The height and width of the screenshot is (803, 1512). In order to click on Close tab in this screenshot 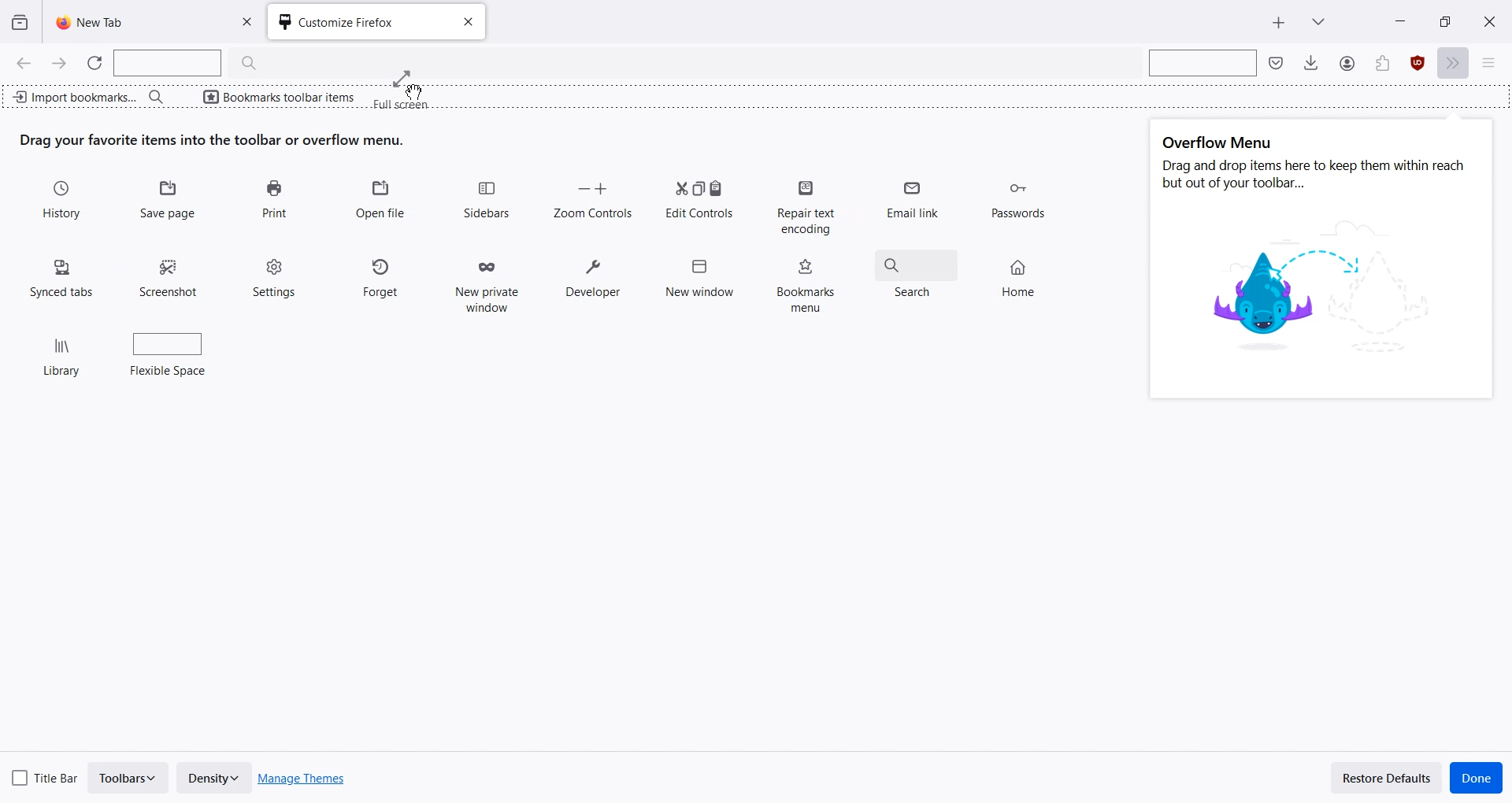, I will do `click(466, 22)`.